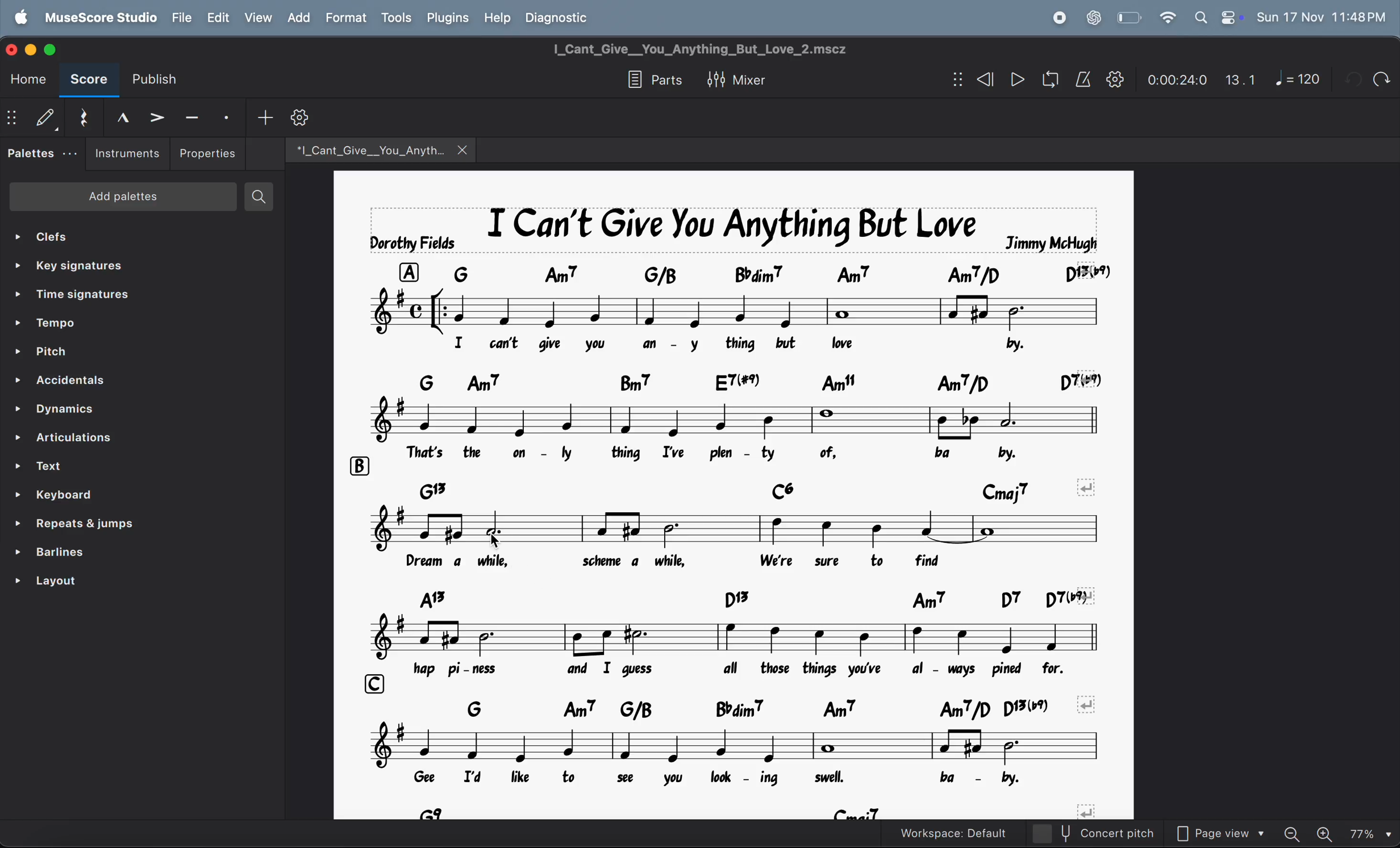 The image size is (1400, 848). I want to click on note 120, so click(1296, 79).